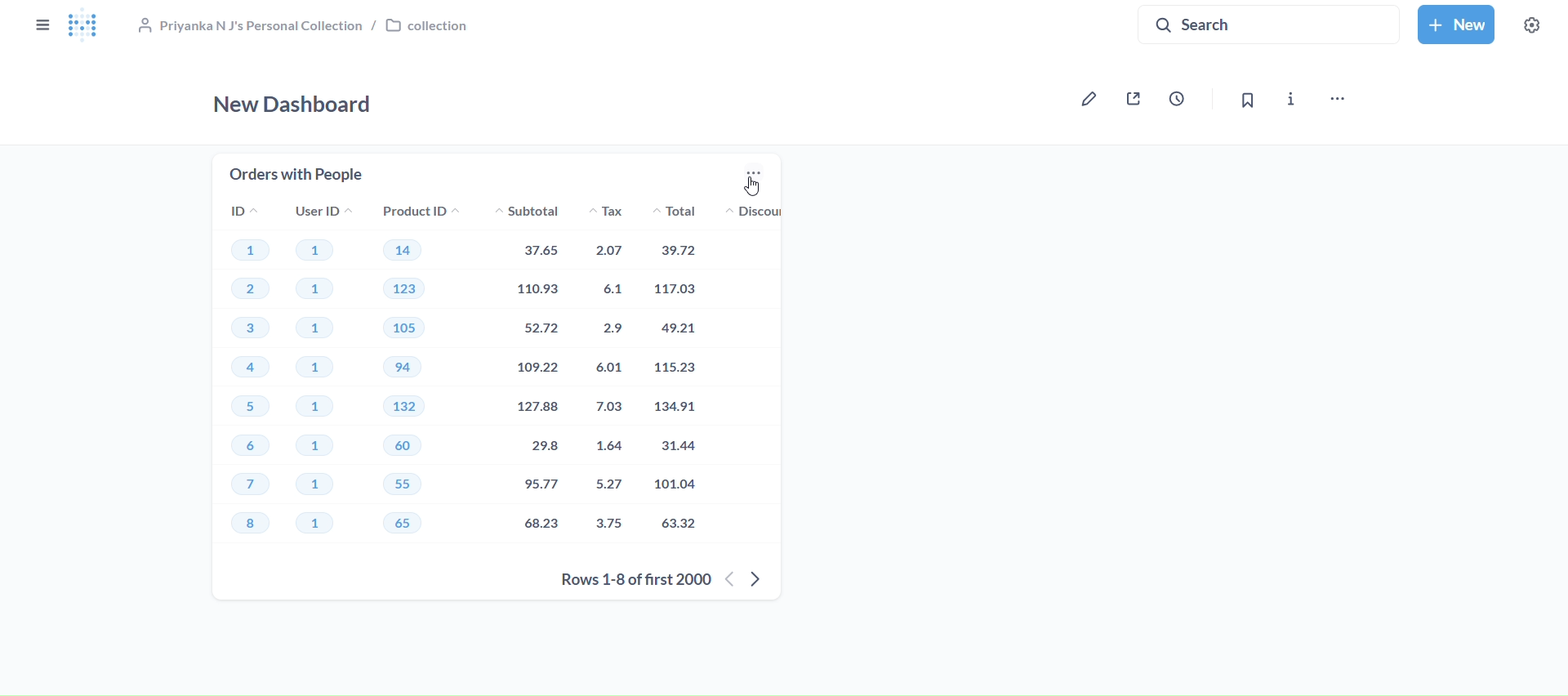  I want to click on product ID's, so click(415, 377).